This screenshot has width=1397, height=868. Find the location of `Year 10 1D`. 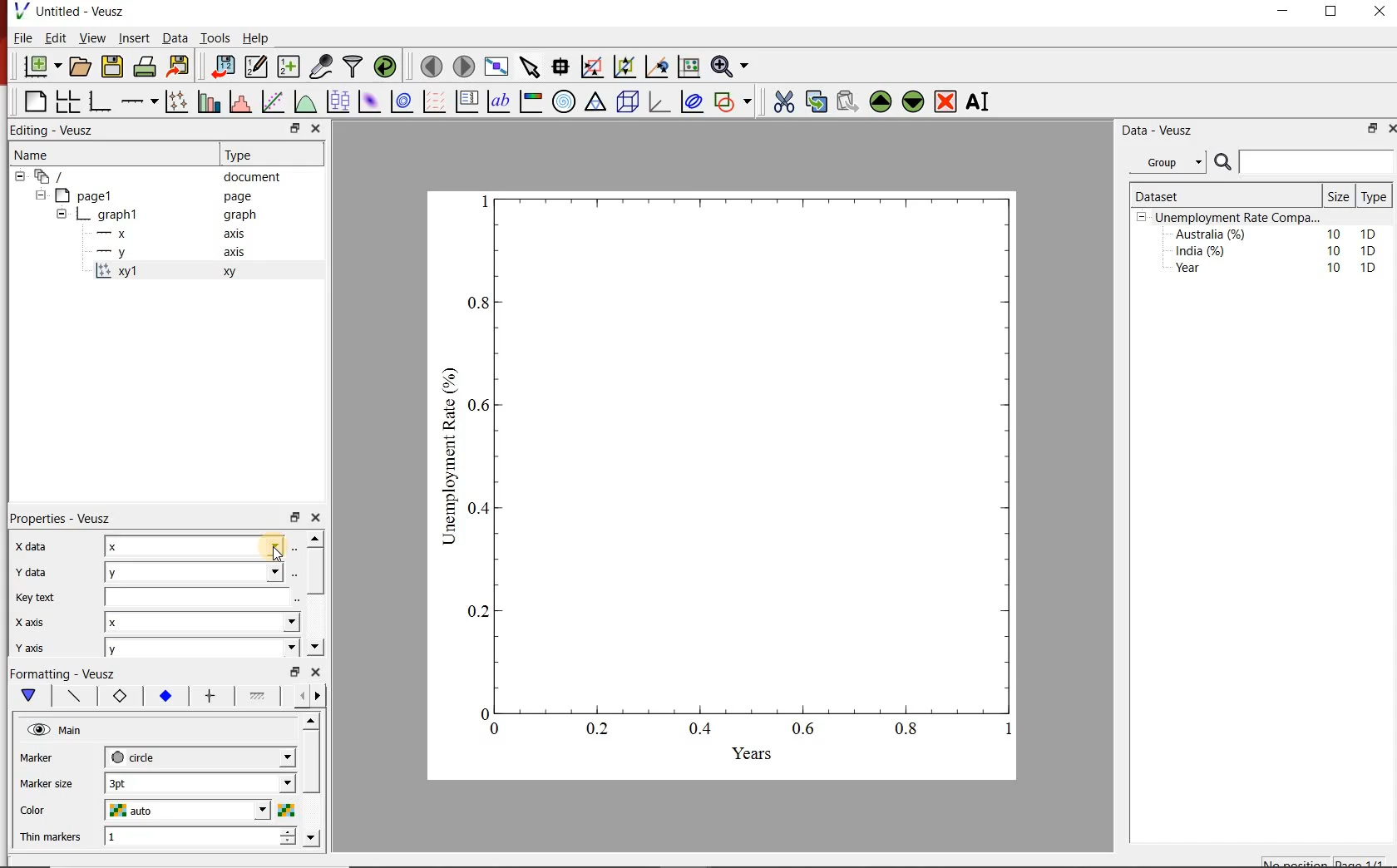

Year 10 1D is located at coordinates (1281, 269).